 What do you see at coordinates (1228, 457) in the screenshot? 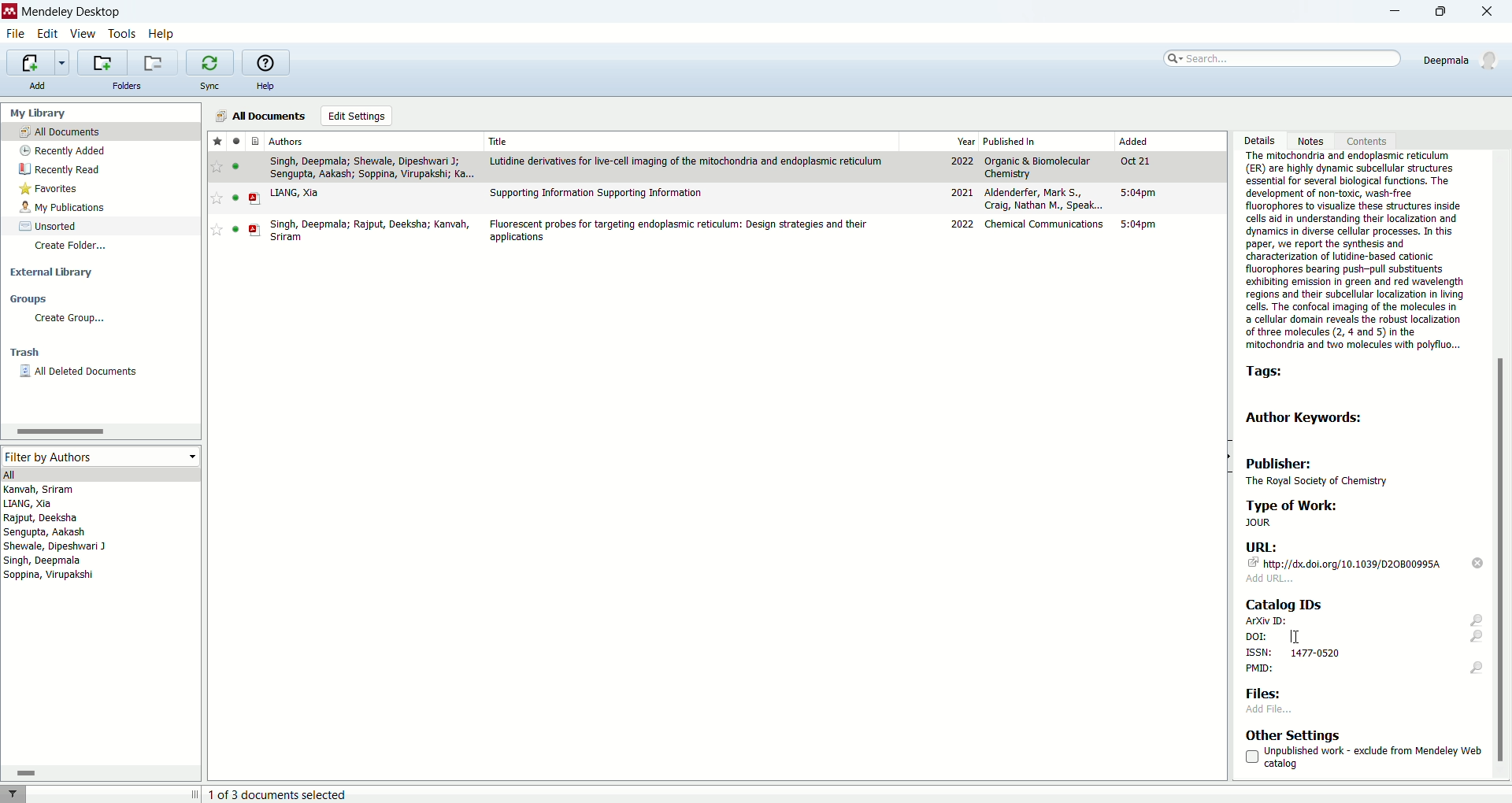
I see `toggle hide/show` at bounding box center [1228, 457].